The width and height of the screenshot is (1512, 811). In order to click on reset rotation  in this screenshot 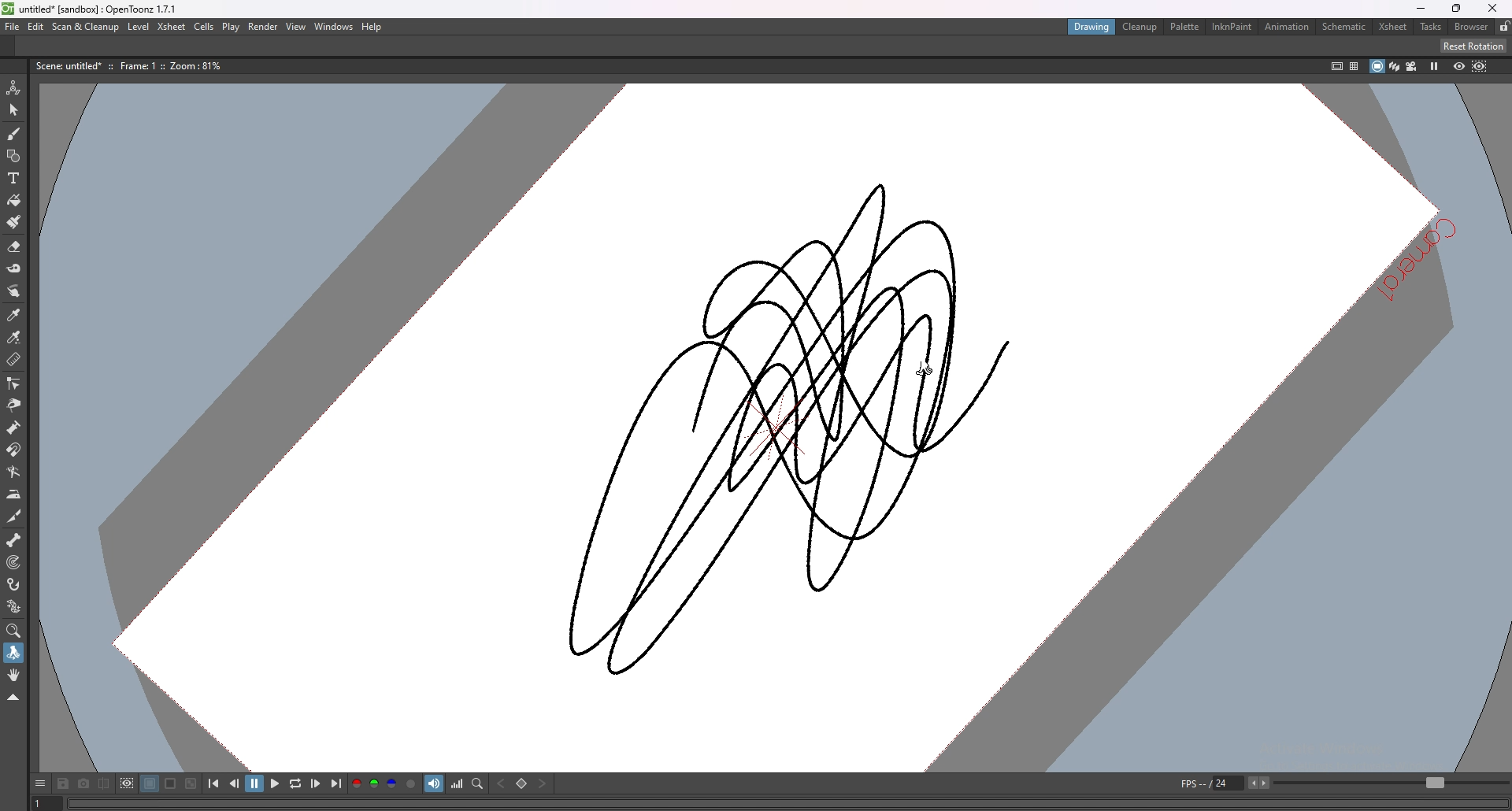, I will do `click(1473, 45)`.